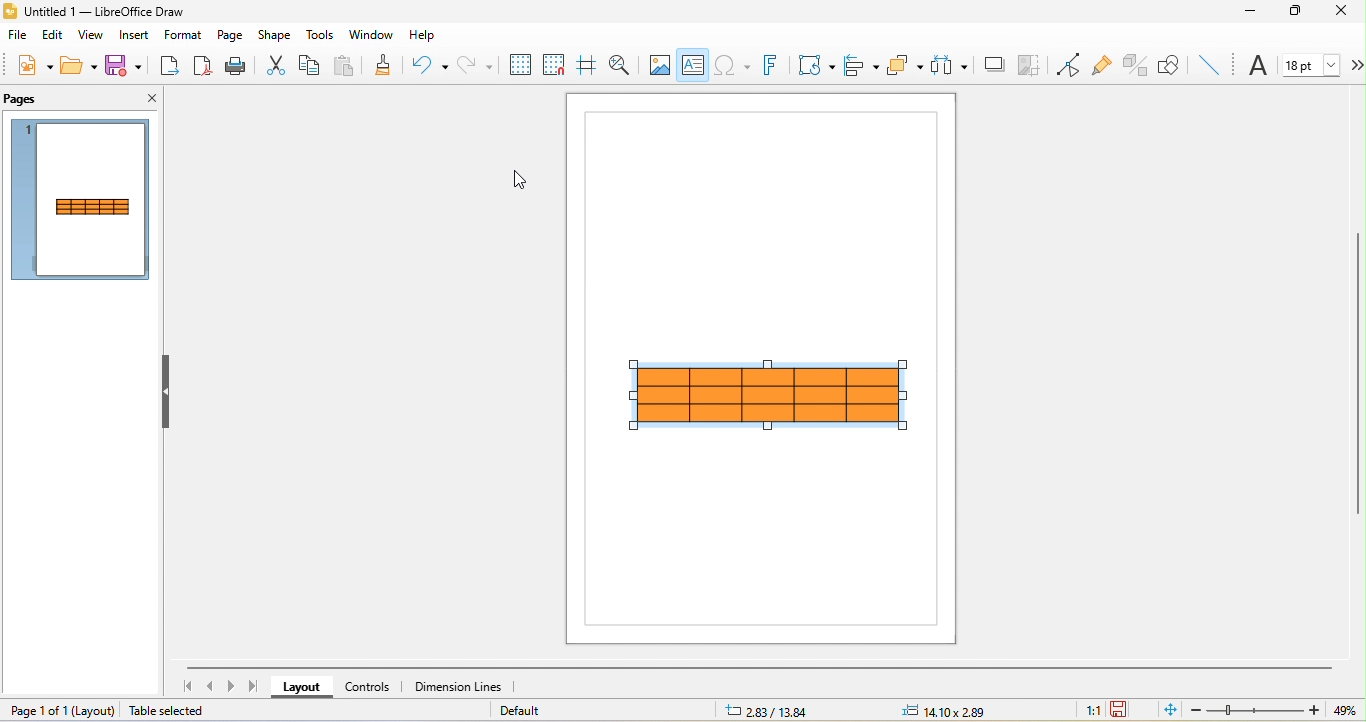 This screenshot has height=722, width=1366. I want to click on Untitled 1 — LibreOffice Draw, so click(94, 10).